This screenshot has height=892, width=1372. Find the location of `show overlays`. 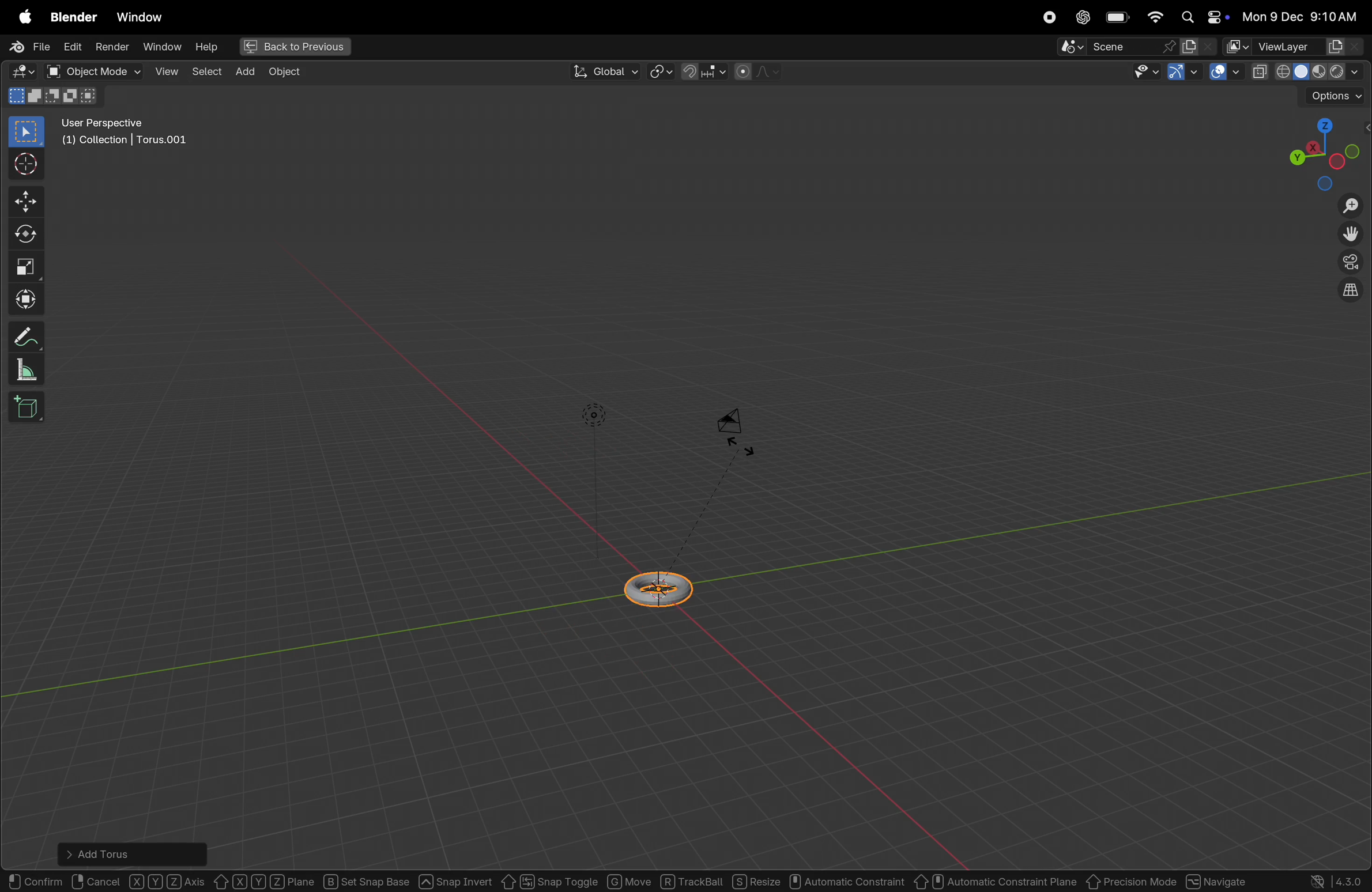

show overlays is located at coordinates (1226, 73).